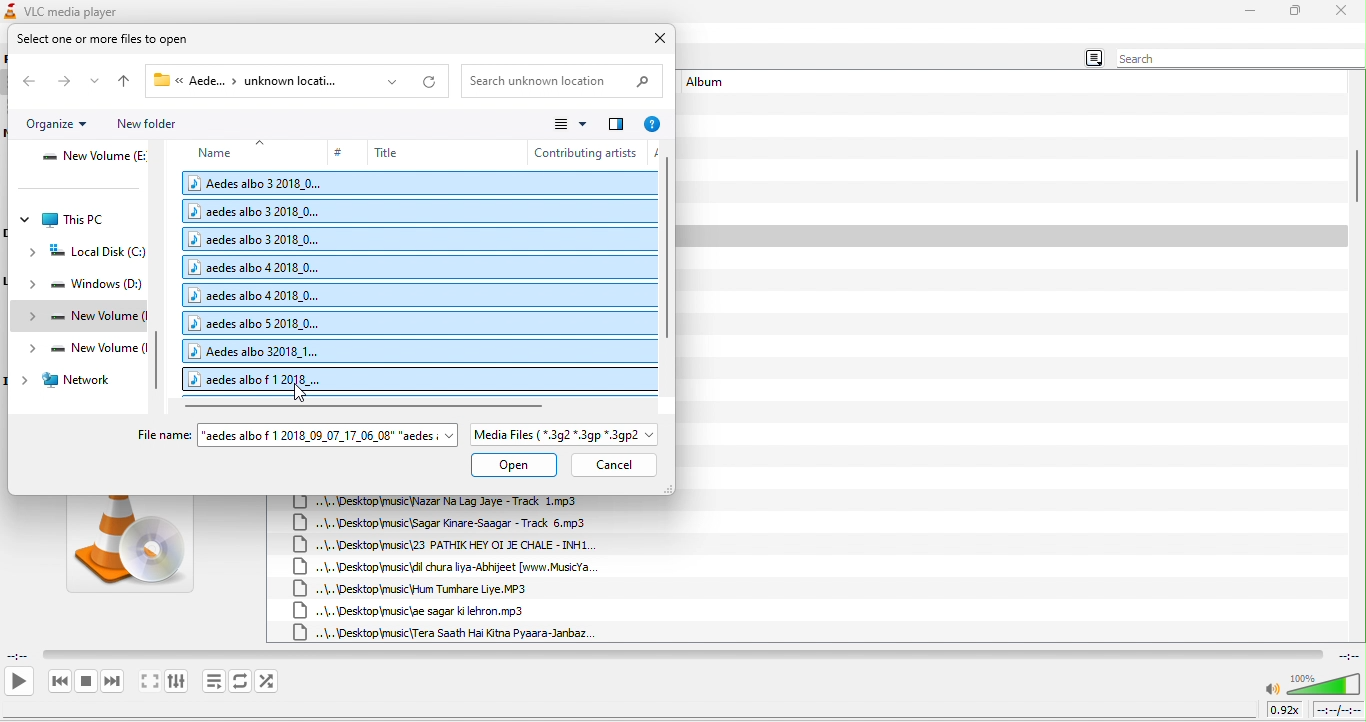 This screenshot has width=1366, height=722. What do you see at coordinates (29, 82) in the screenshot?
I see `back` at bounding box center [29, 82].